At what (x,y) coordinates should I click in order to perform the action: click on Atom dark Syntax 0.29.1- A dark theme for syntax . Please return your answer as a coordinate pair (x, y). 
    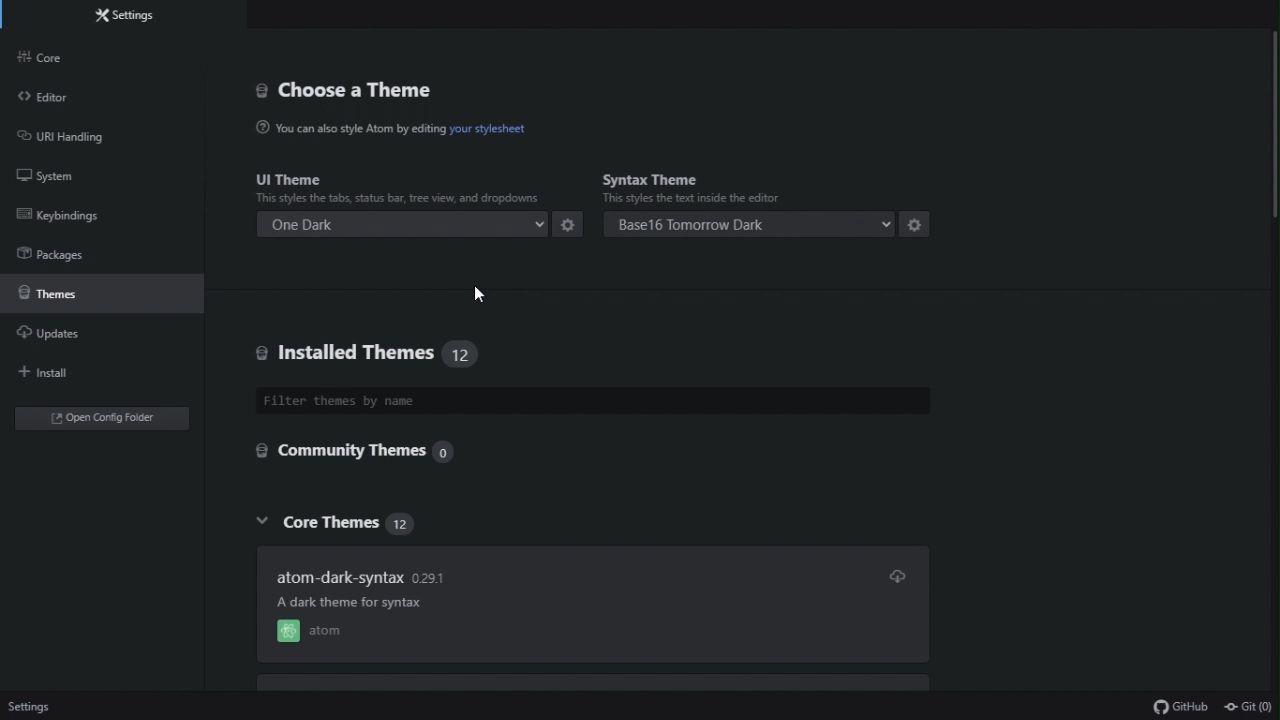
    Looking at the image, I should click on (363, 579).